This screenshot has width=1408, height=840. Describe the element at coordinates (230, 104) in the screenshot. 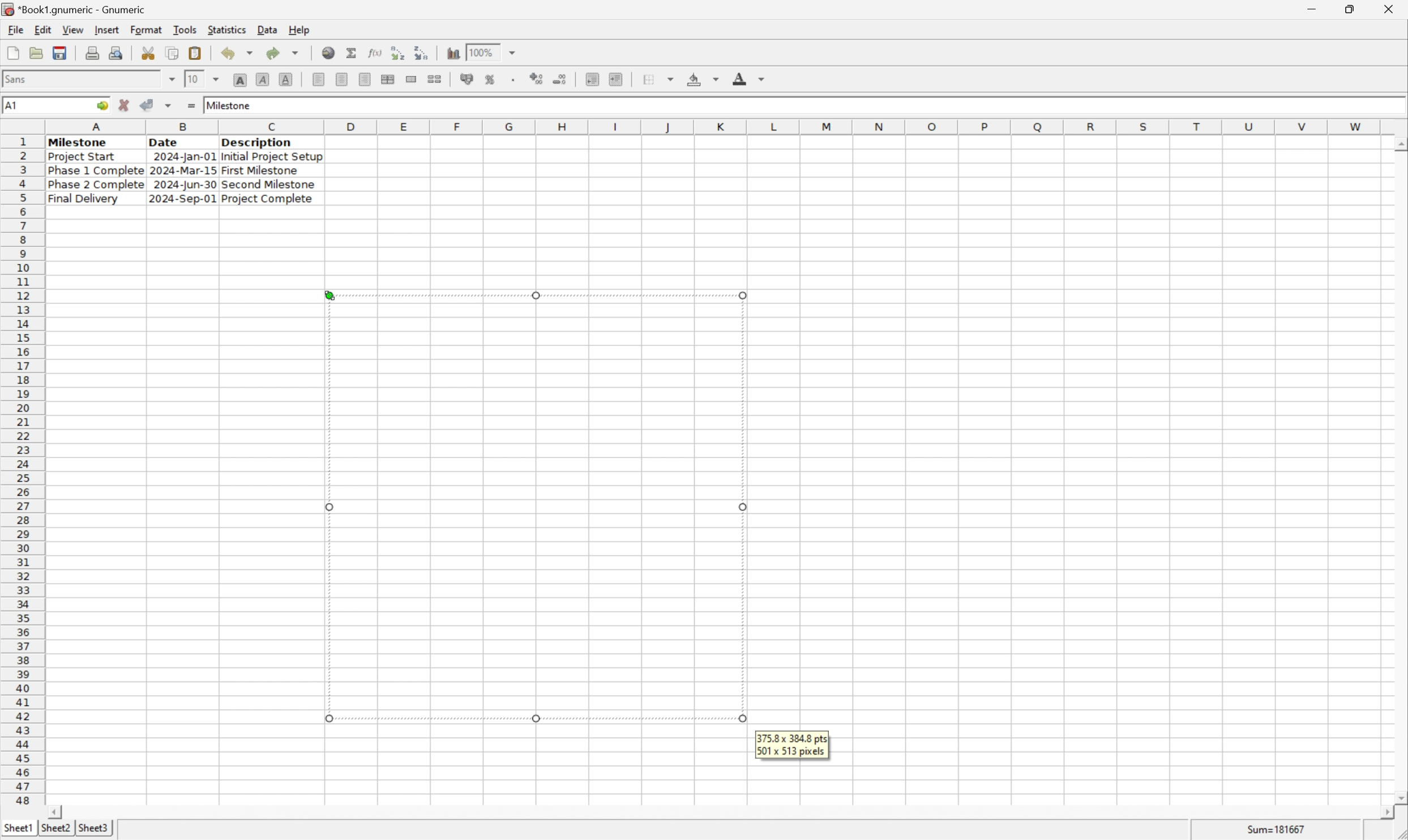

I see `Milestone` at that location.